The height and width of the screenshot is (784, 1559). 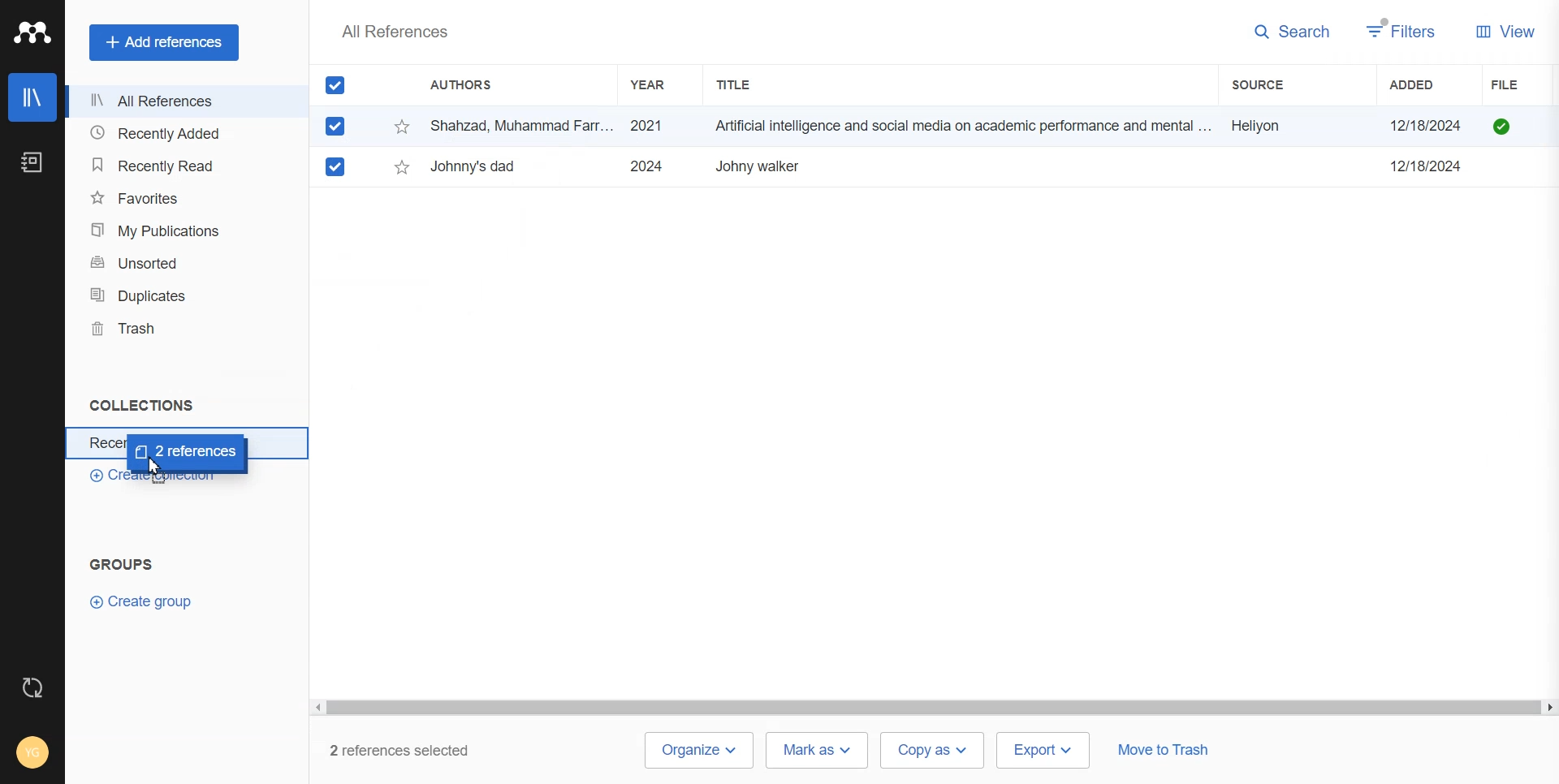 I want to click on Recently Read, so click(x=182, y=166).